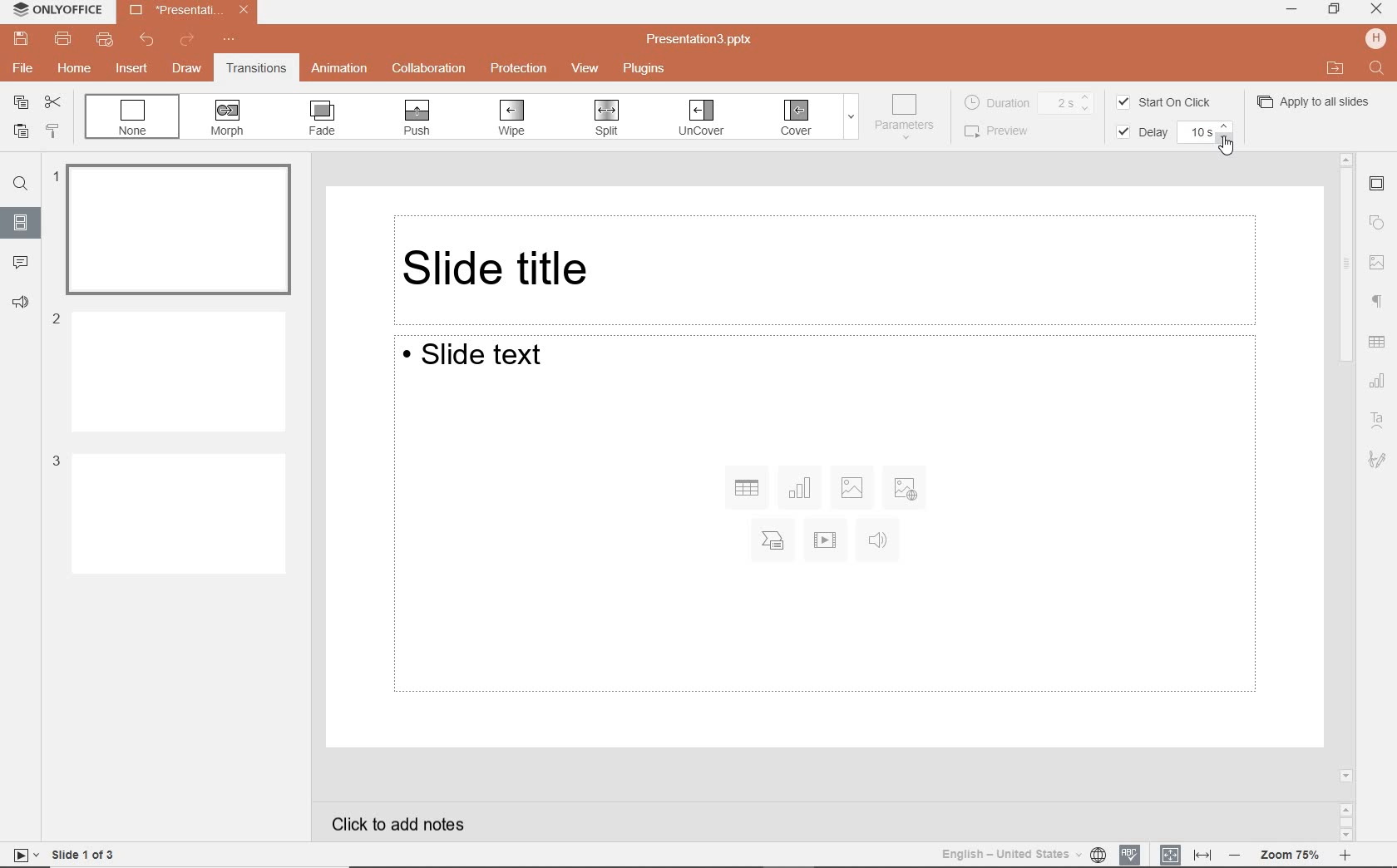  What do you see at coordinates (1345, 496) in the screenshot?
I see `scrollbar` at bounding box center [1345, 496].